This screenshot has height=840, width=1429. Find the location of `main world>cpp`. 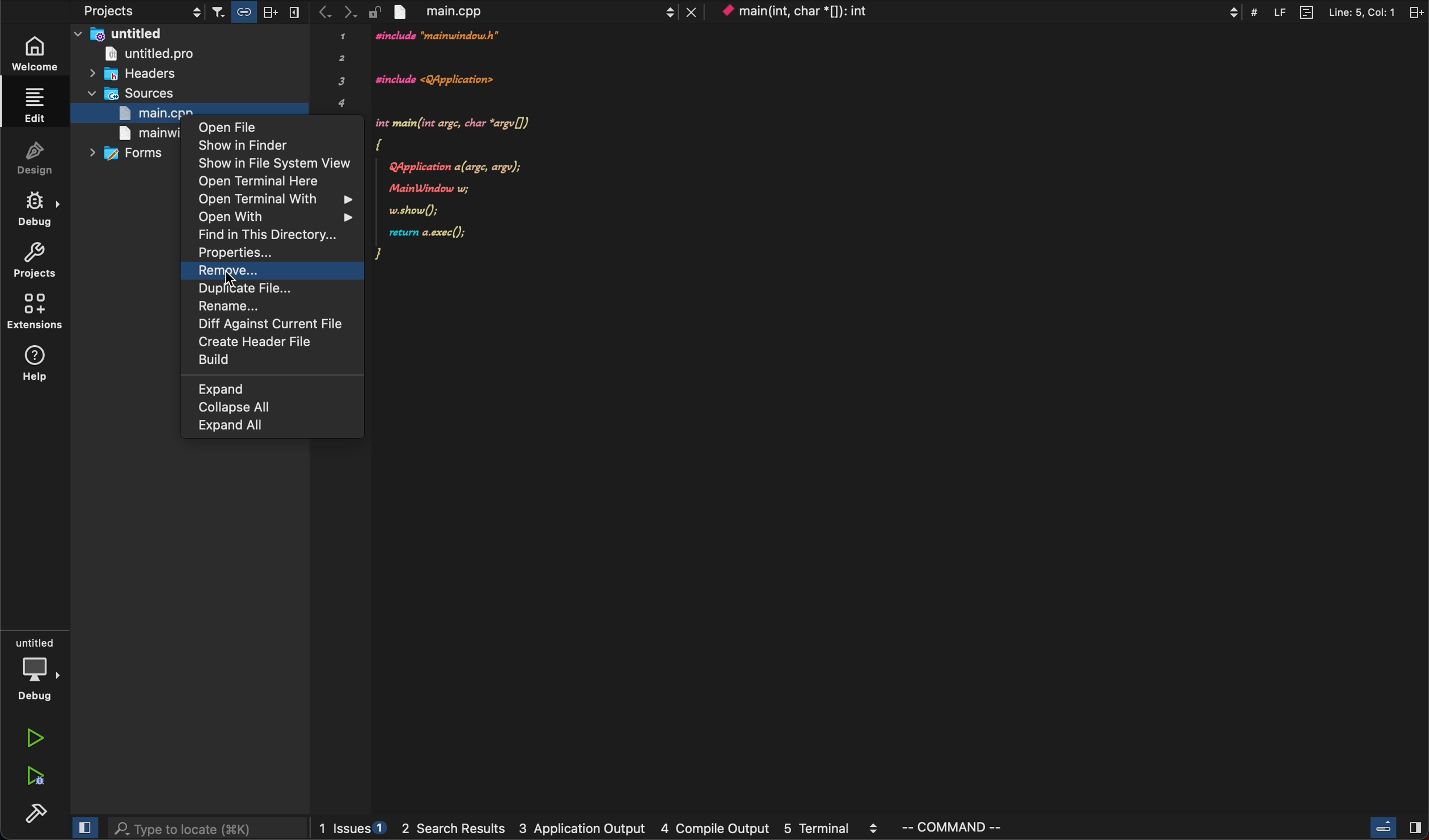

main world>cpp is located at coordinates (150, 133).